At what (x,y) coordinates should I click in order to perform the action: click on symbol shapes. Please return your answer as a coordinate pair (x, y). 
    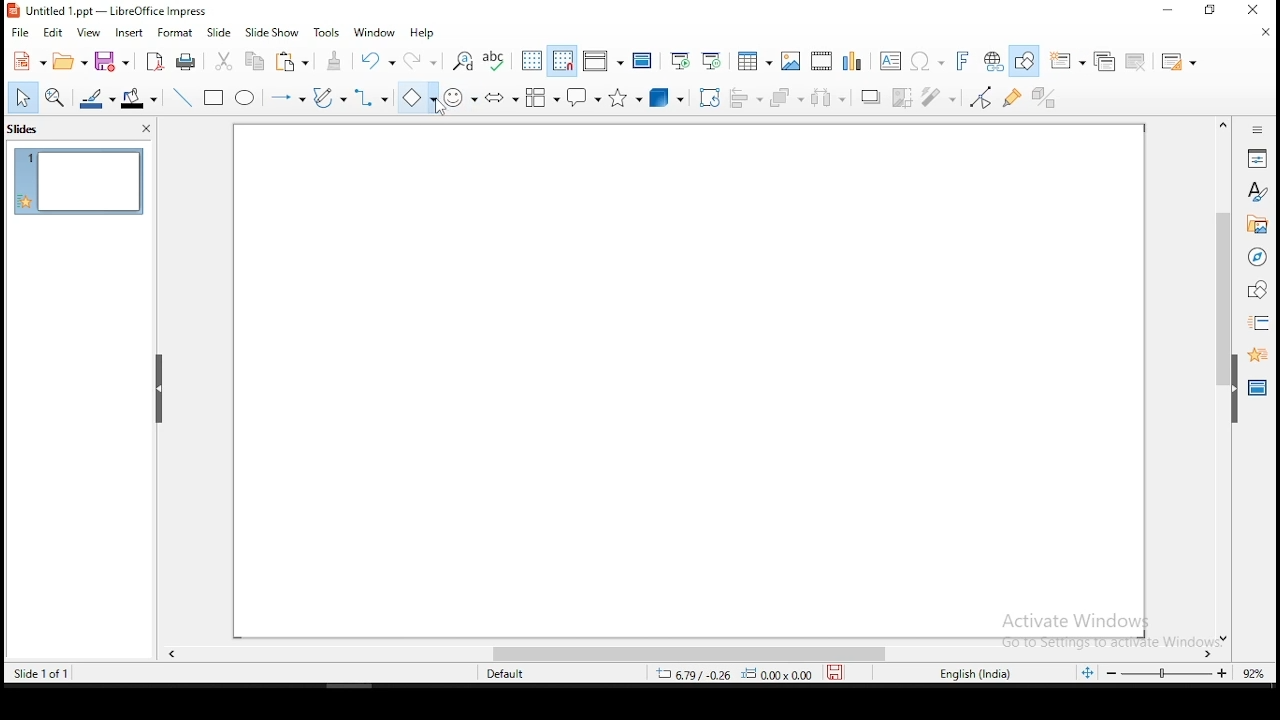
    Looking at the image, I should click on (460, 97).